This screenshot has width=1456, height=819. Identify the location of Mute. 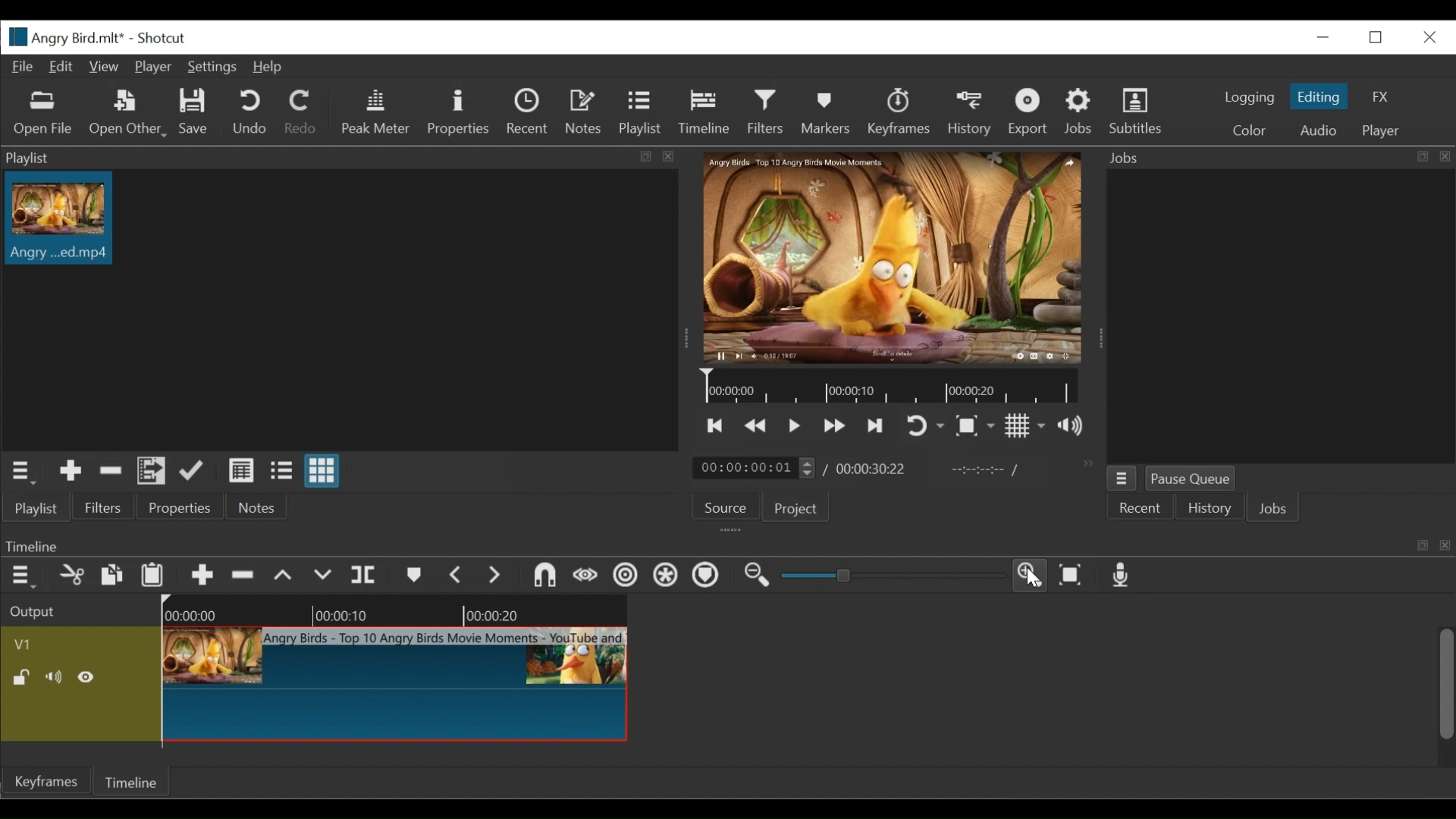
(55, 676).